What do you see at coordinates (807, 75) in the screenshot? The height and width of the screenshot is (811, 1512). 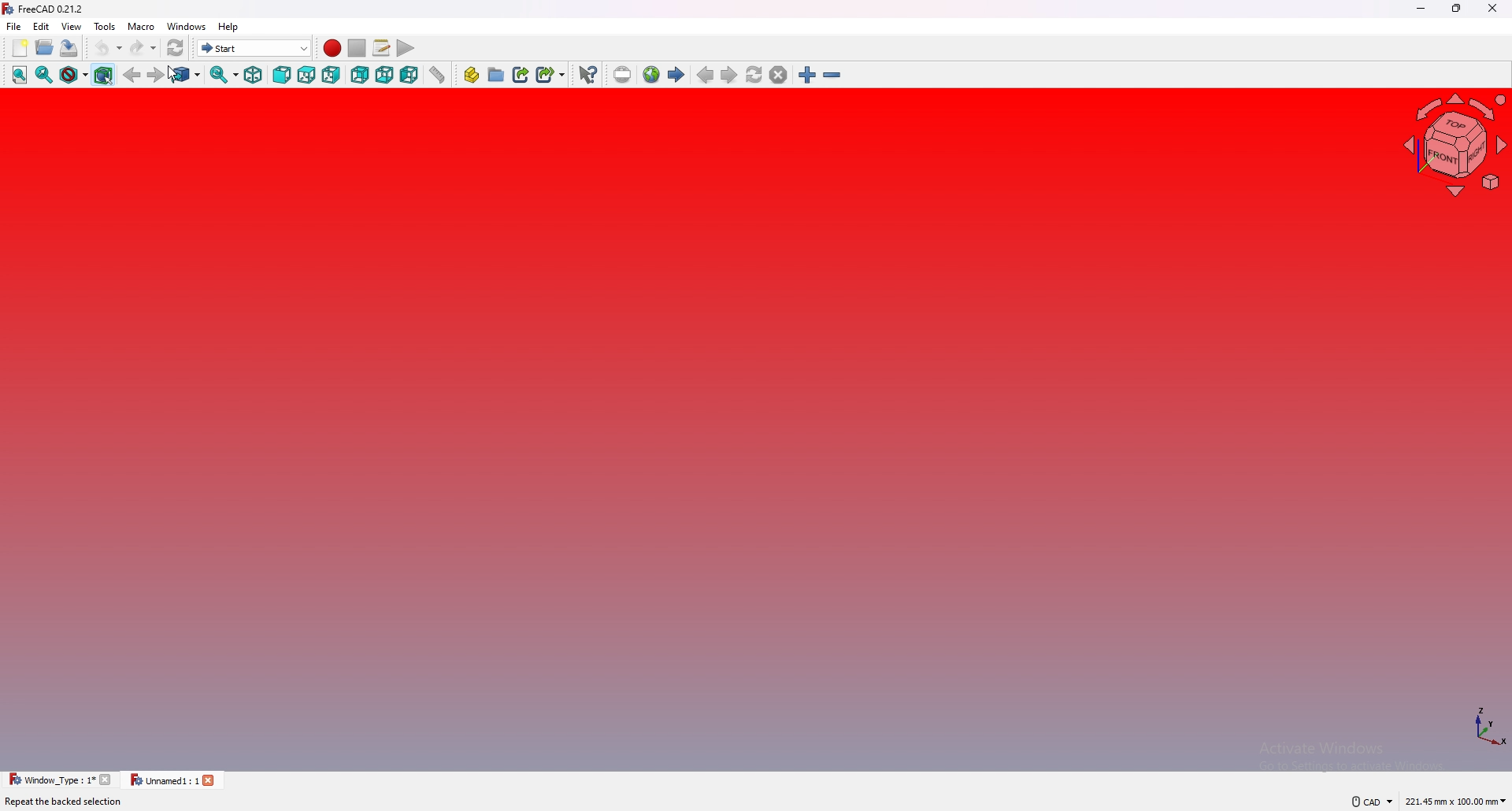 I see `zoom in` at bounding box center [807, 75].